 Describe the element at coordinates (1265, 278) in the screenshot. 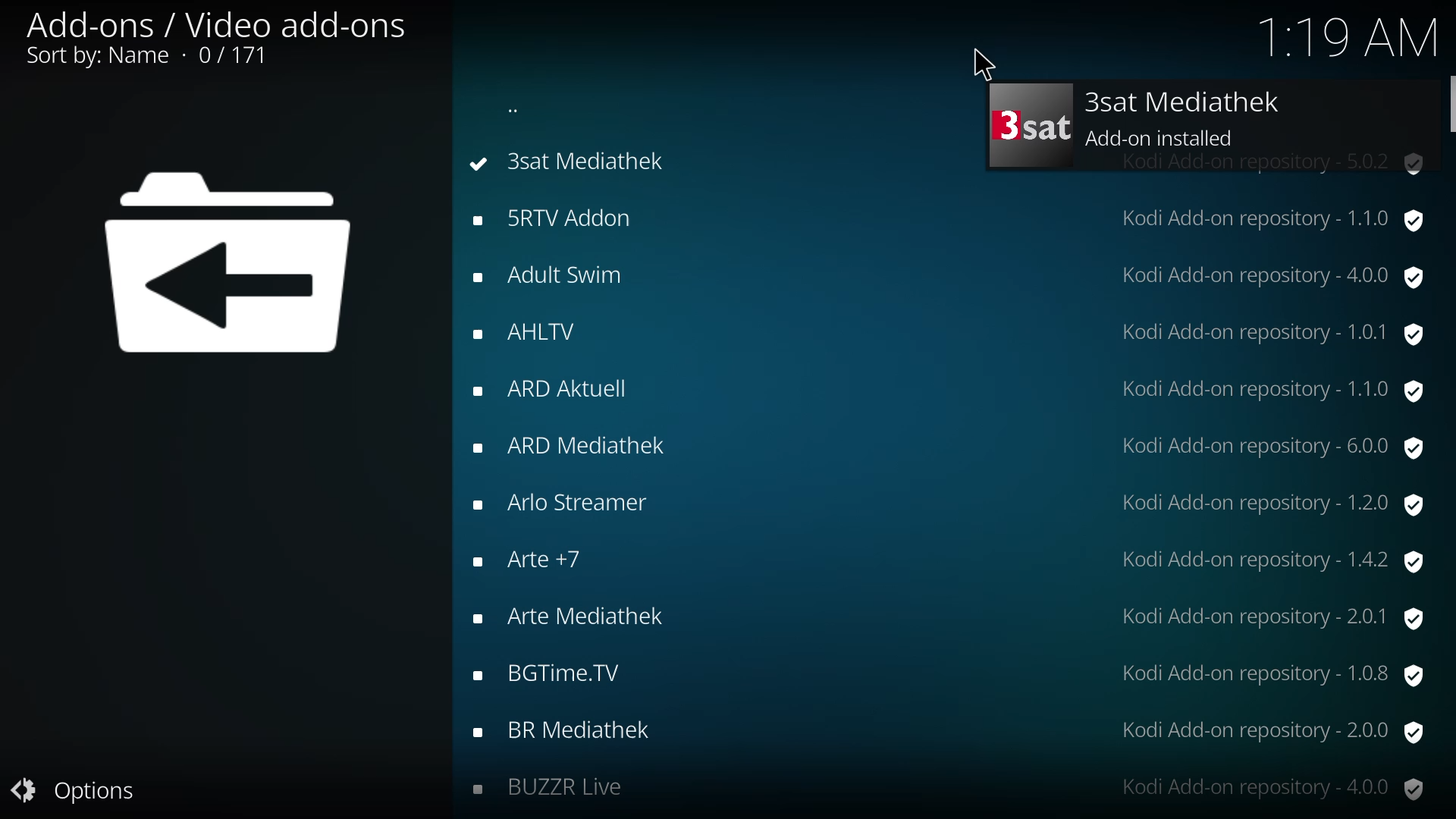

I see `version` at that location.